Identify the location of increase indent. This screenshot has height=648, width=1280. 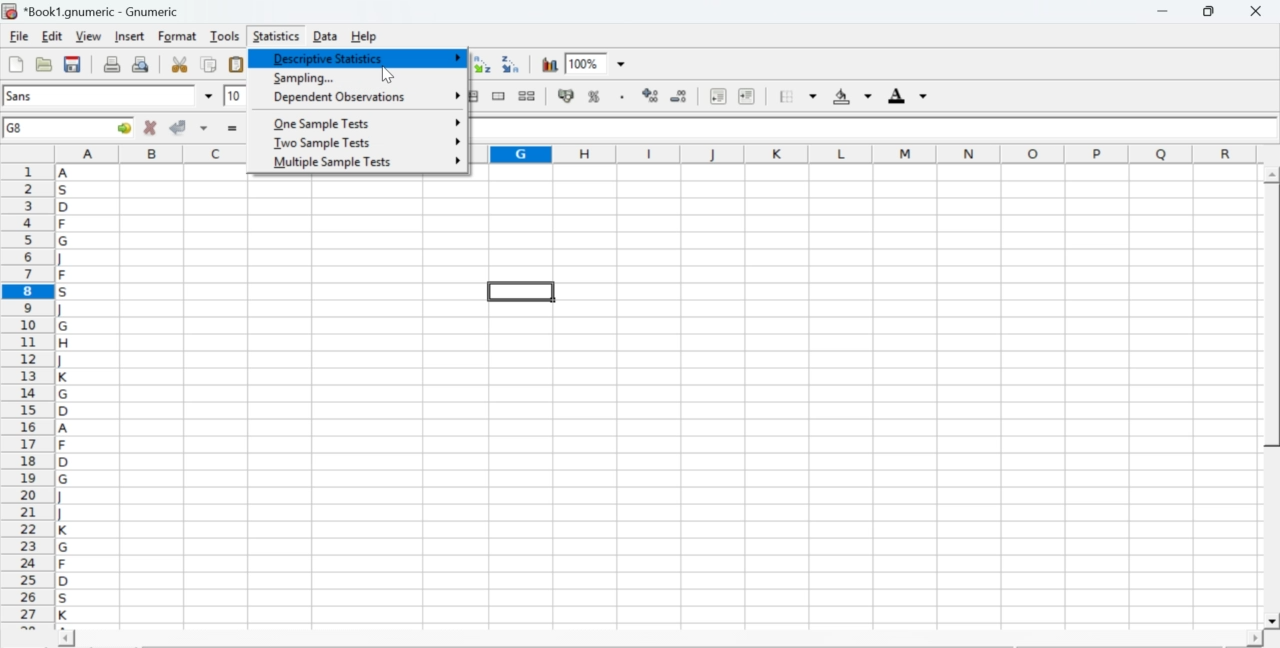
(746, 97).